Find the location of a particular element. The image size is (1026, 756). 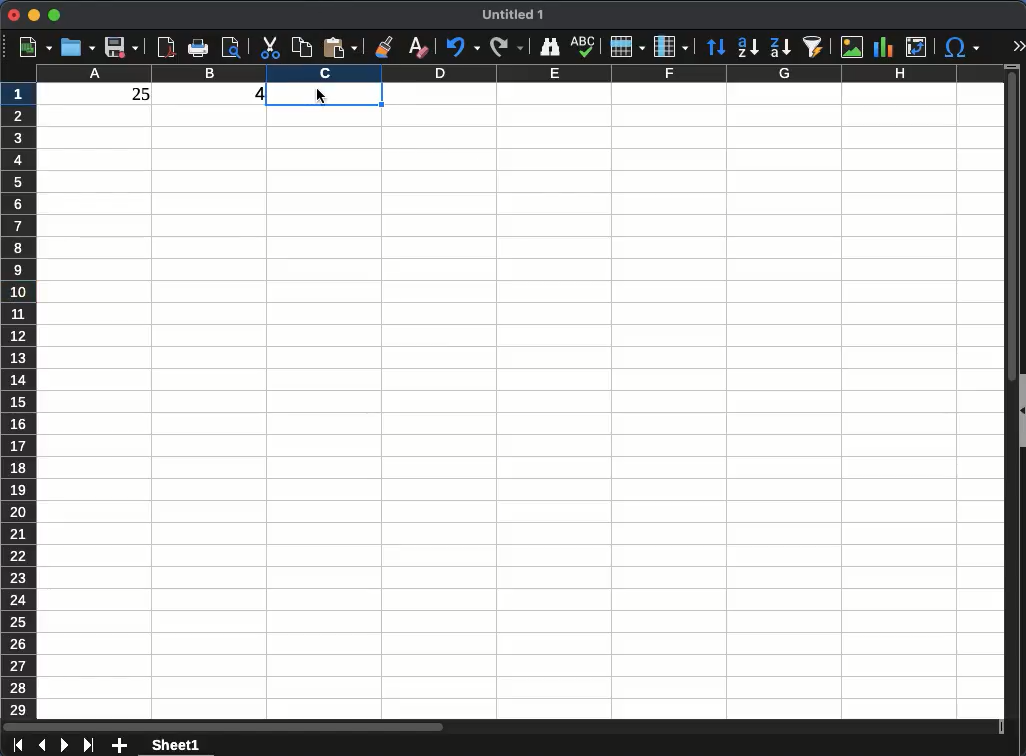

add sheet is located at coordinates (121, 745).